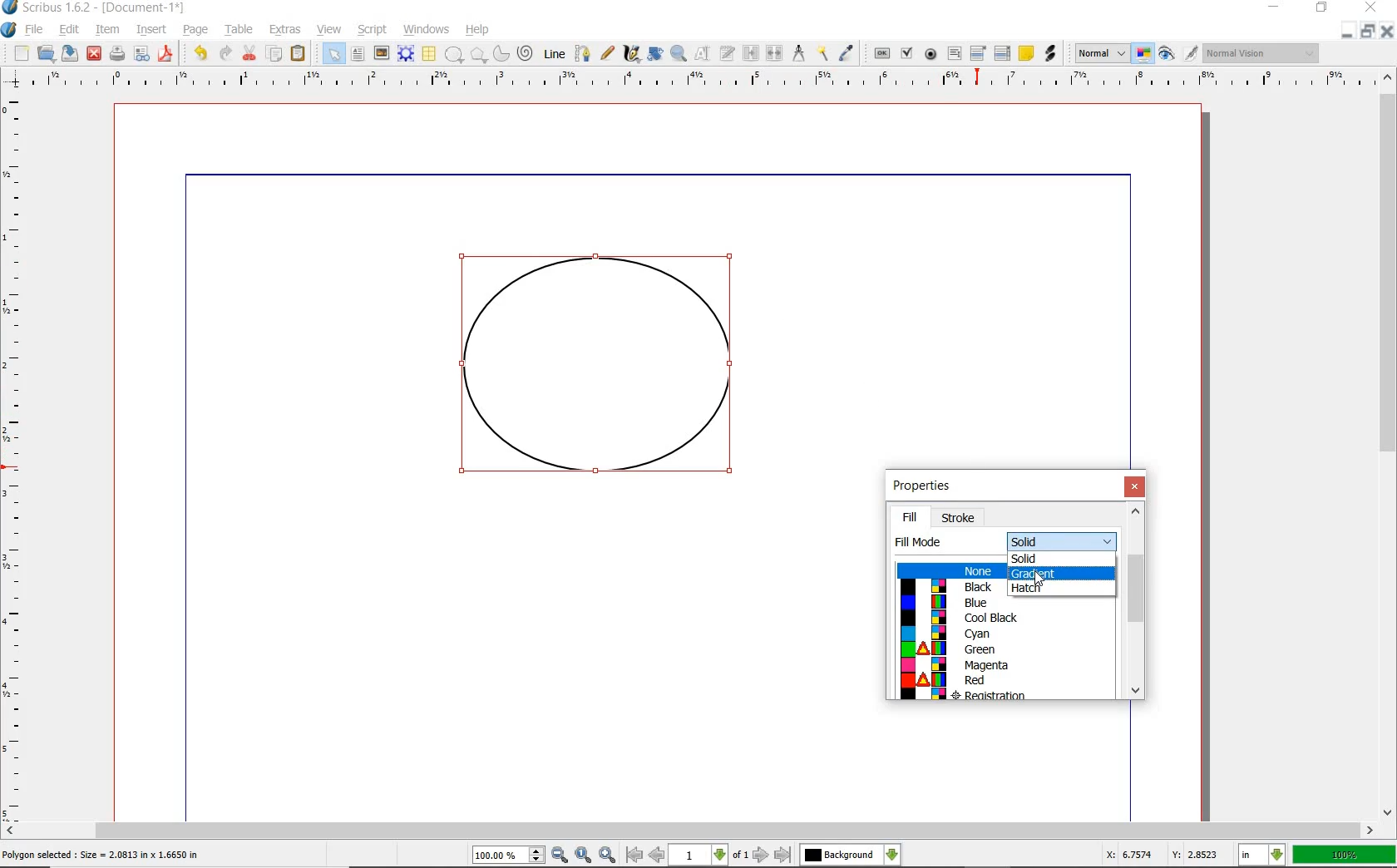  What do you see at coordinates (239, 30) in the screenshot?
I see `TABLE` at bounding box center [239, 30].